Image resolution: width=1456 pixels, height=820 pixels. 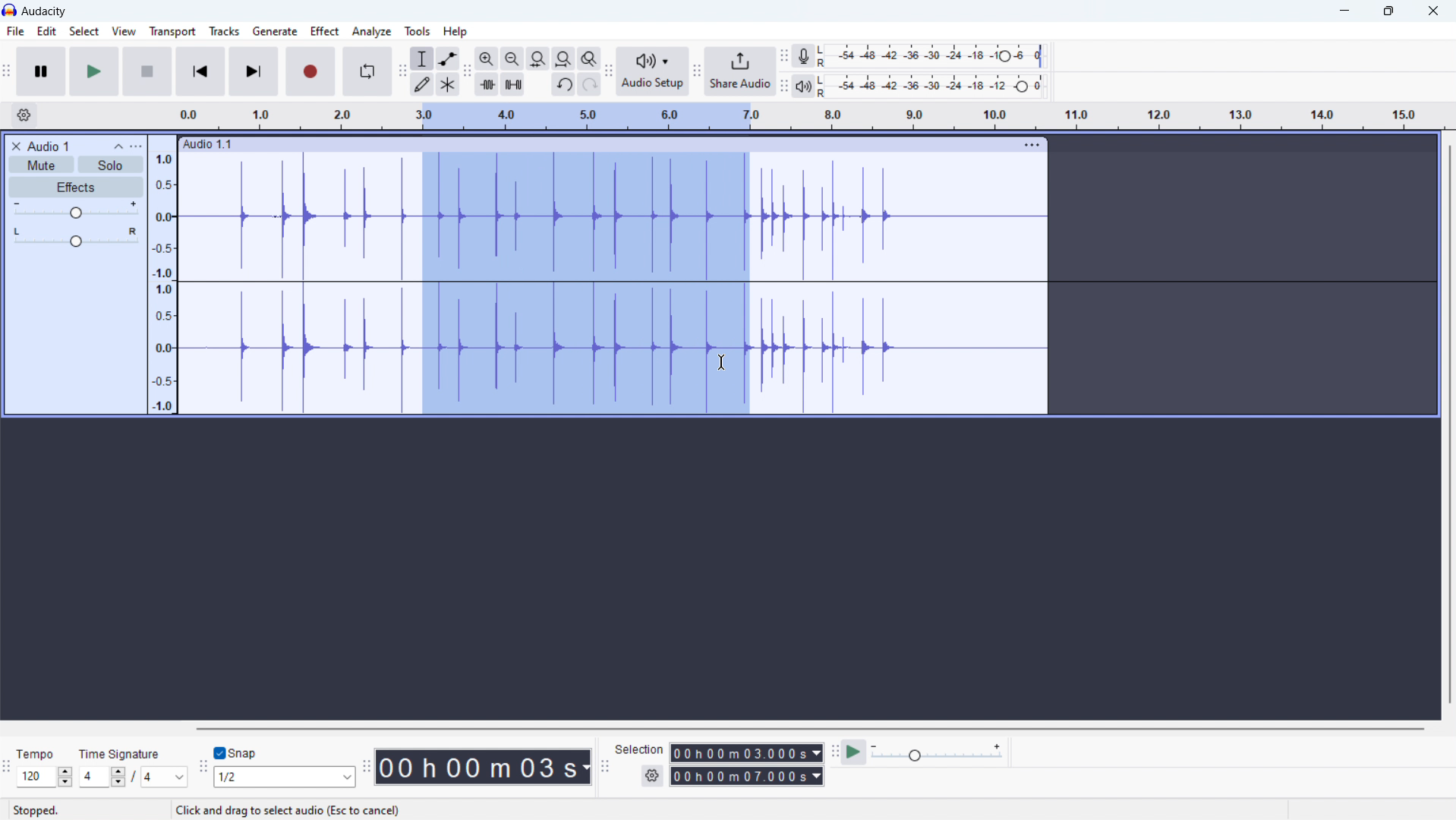 I want to click on redo, so click(x=590, y=84).